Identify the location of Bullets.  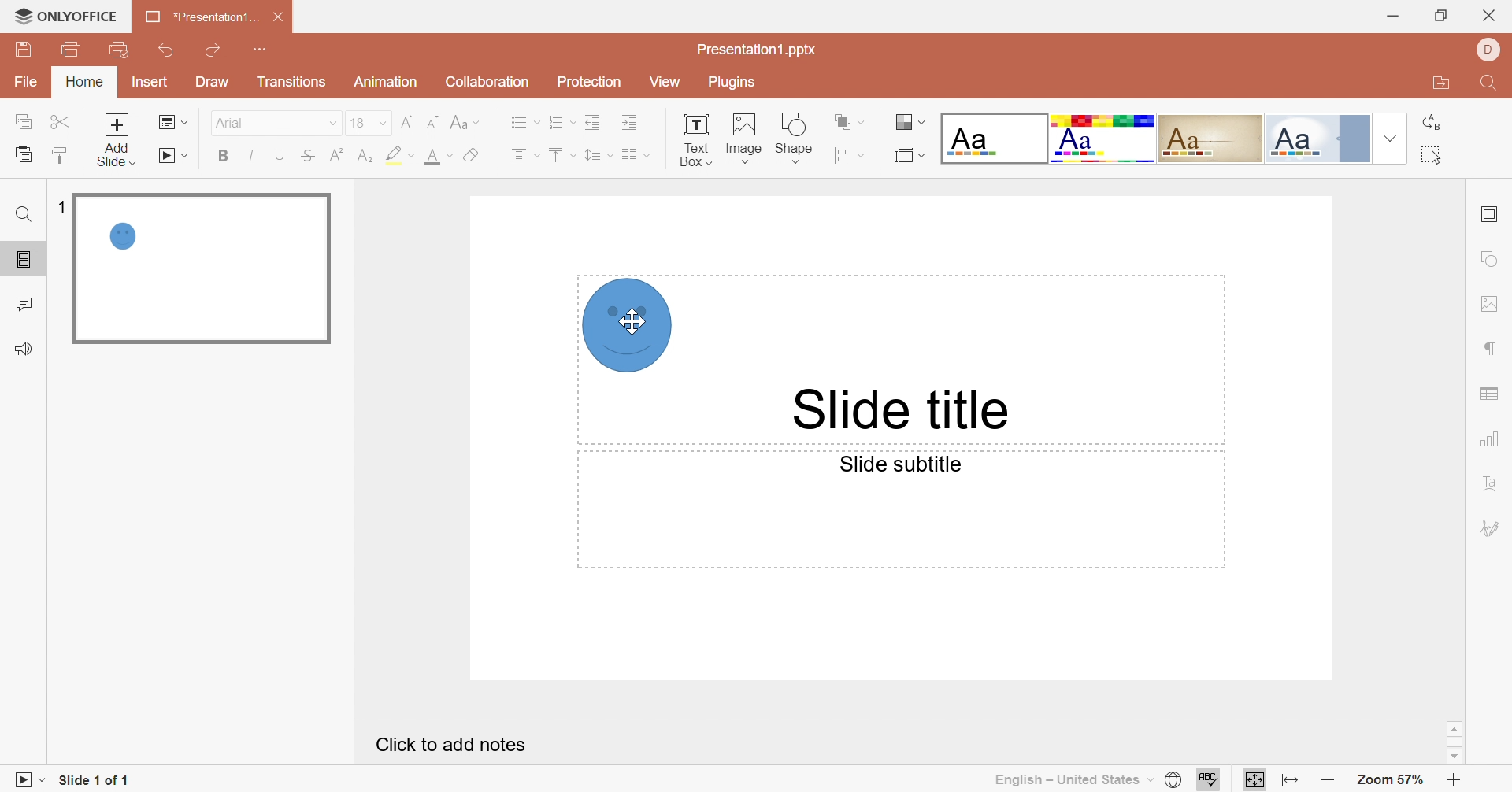
(521, 121).